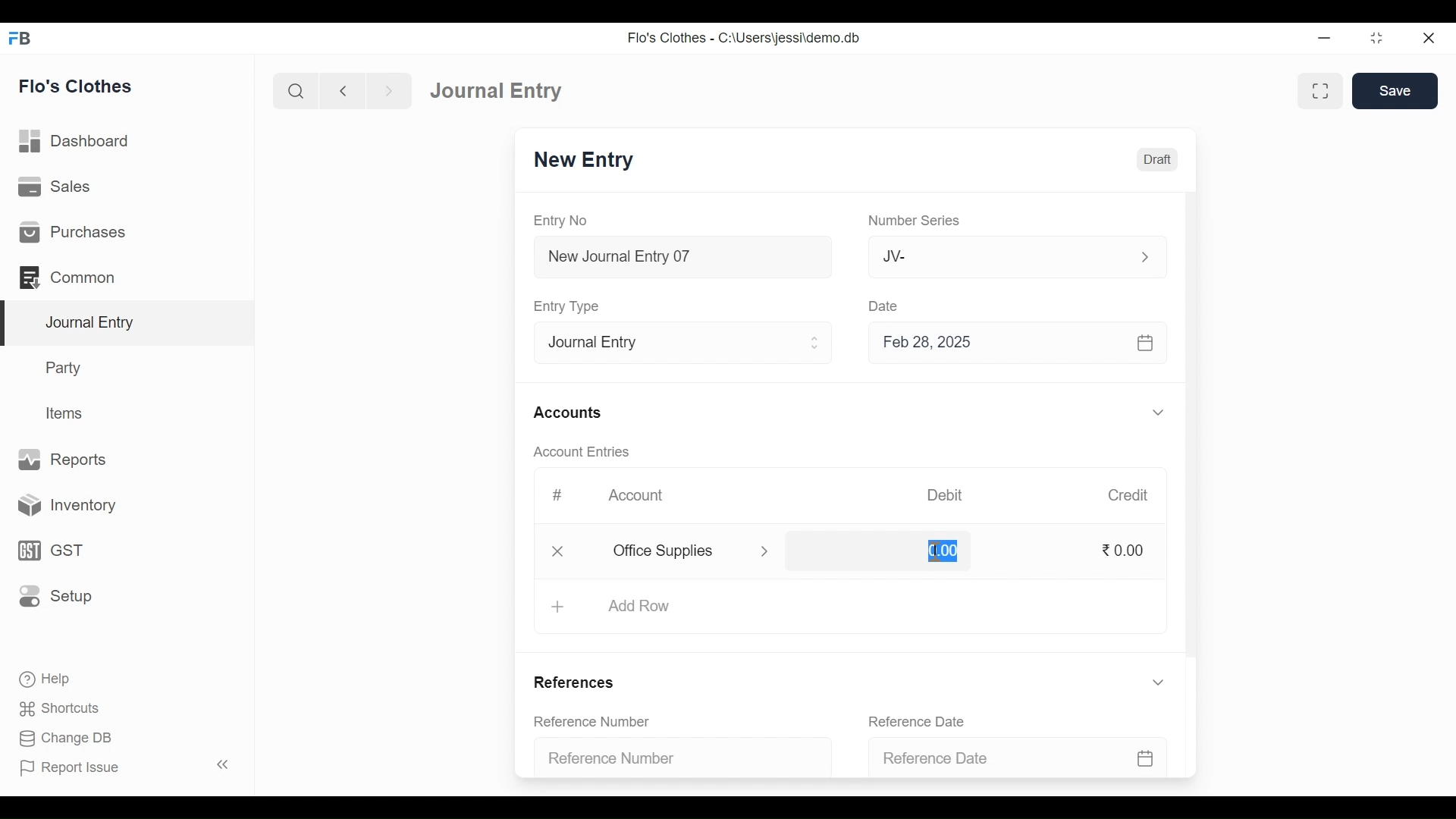 Image resolution: width=1456 pixels, height=819 pixels. Describe the element at coordinates (878, 548) in the screenshot. I see `0.00` at that location.